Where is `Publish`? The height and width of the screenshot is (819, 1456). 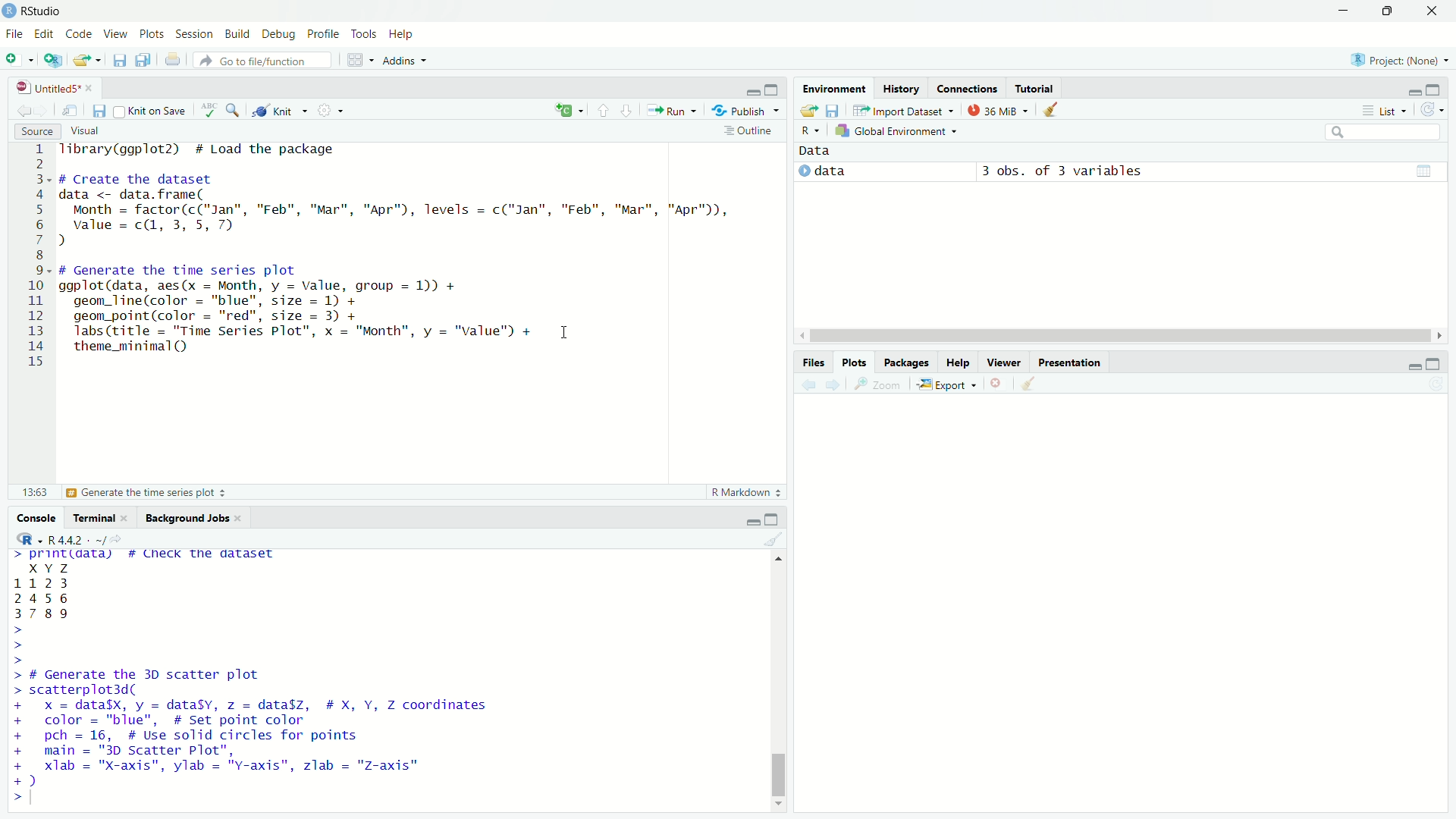
Publish is located at coordinates (745, 110).